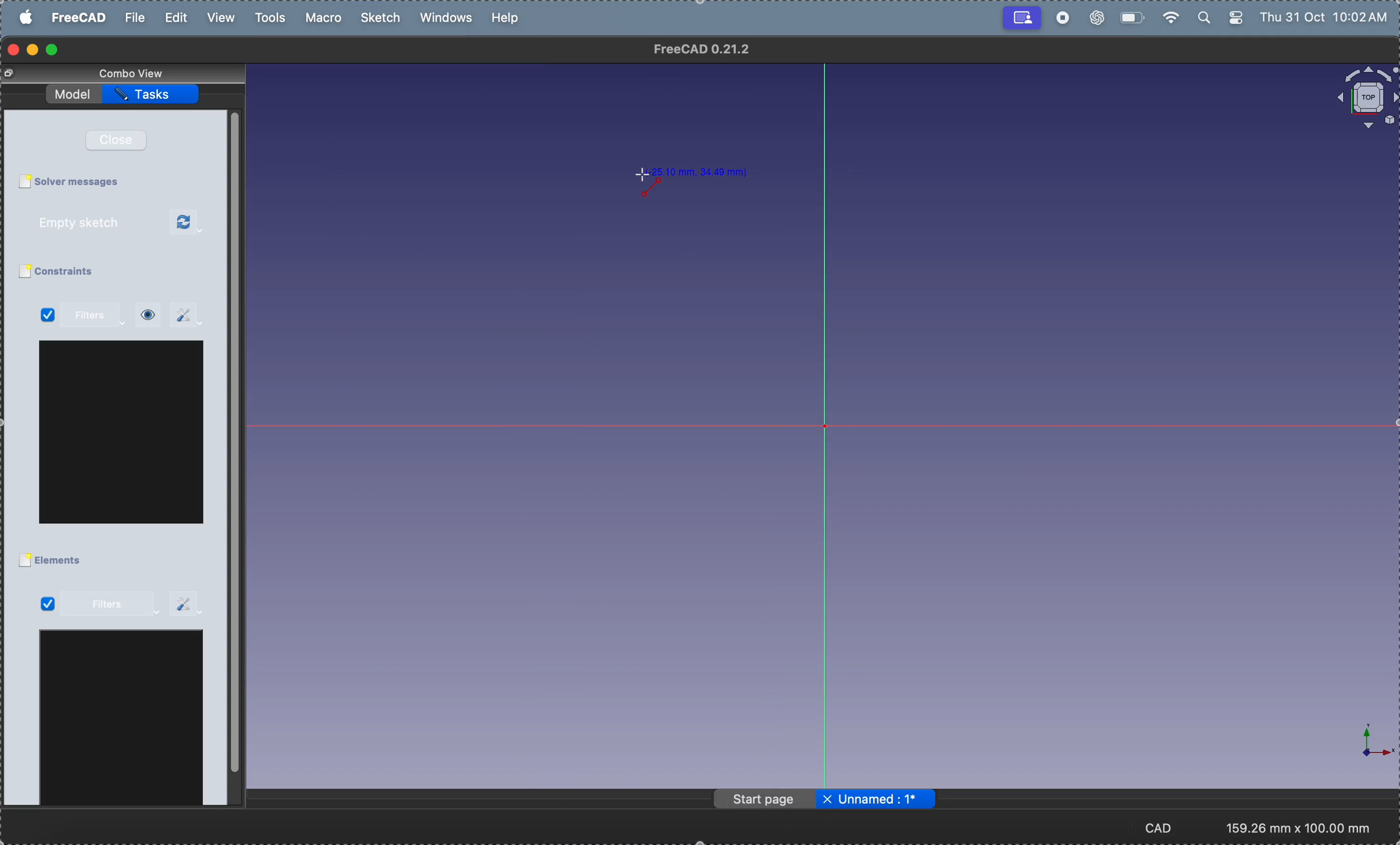 This screenshot has width=1400, height=845. I want to click on wifi, so click(1168, 18).